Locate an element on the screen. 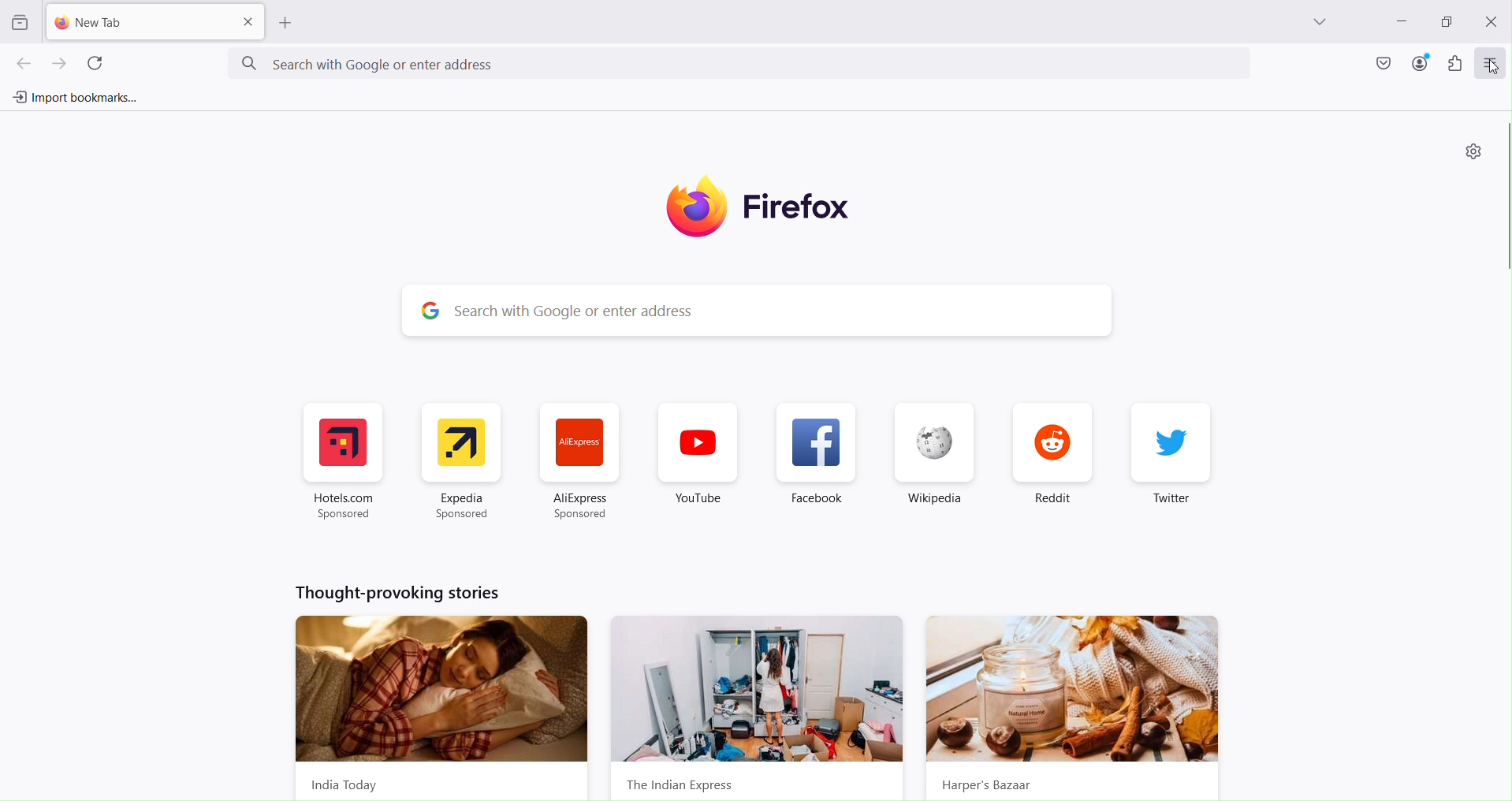 The image size is (1512, 801). View recent browsing across windows and devices is located at coordinates (18, 24).